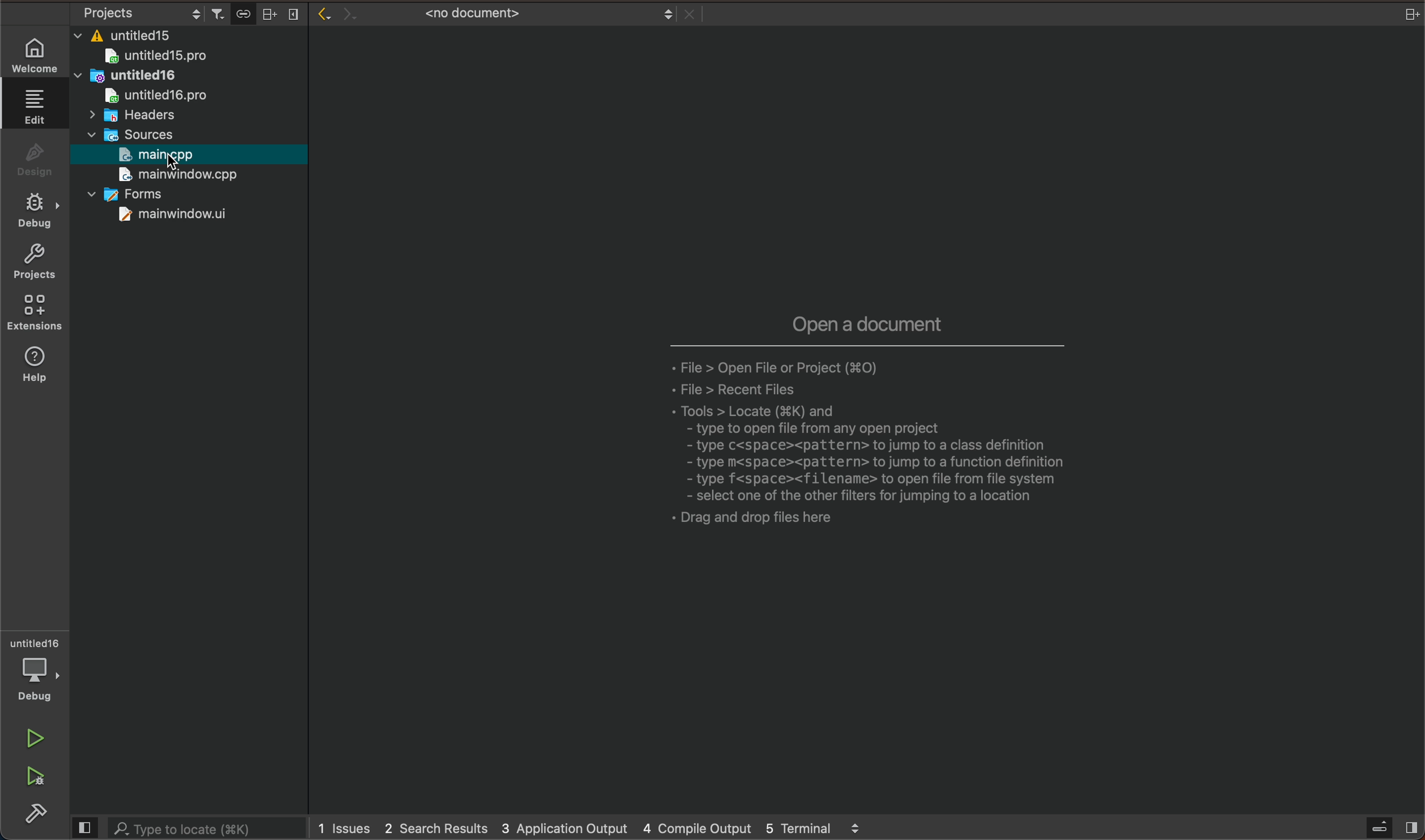 Image resolution: width=1425 pixels, height=840 pixels. What do you see at coordinates (29, 813) in the screenshot?
I see `build` at bounding box center [29, 813].